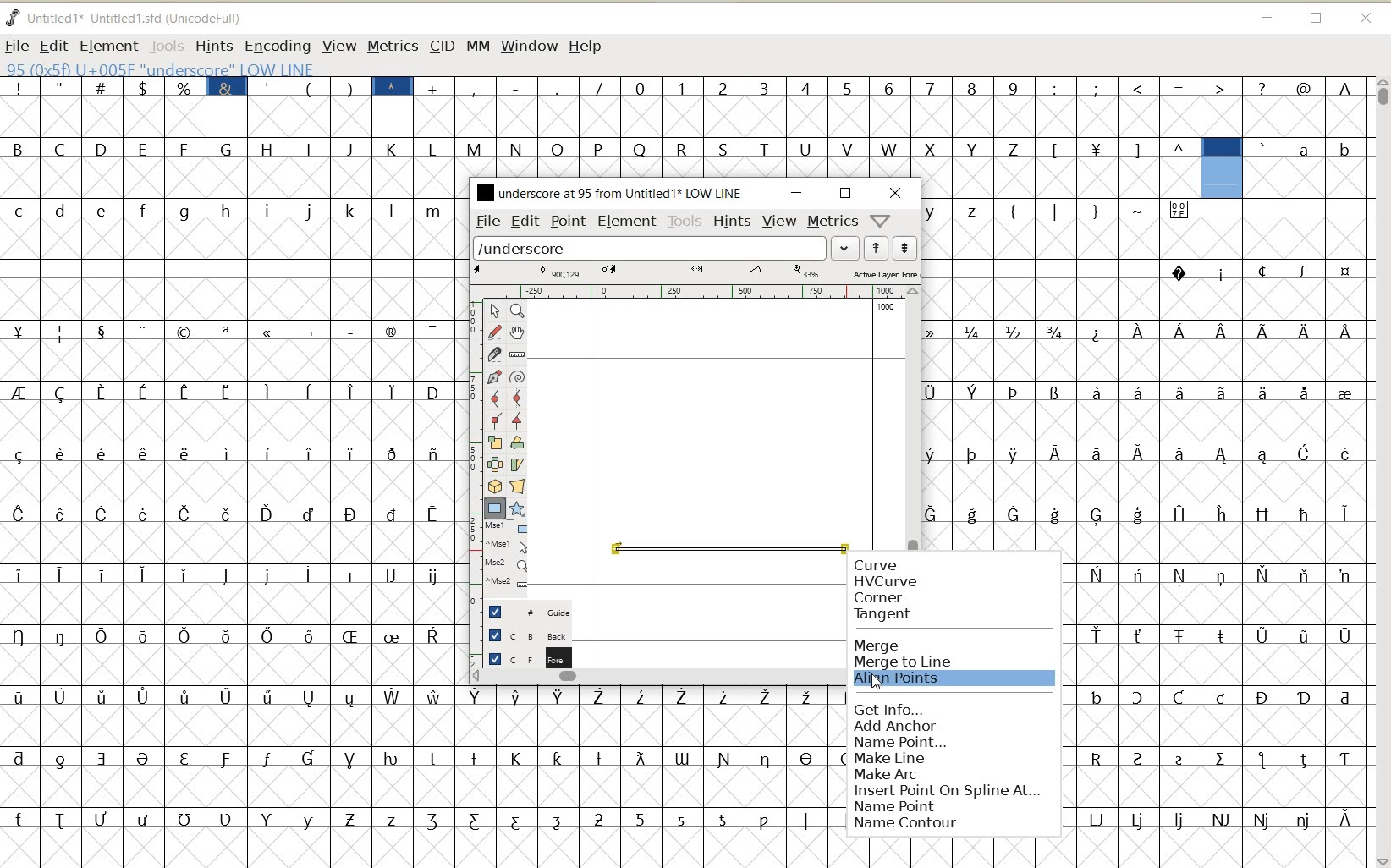 The height and width of the screenshot is (868, 1391). Describe the element at coordinates (650, 247) in the screenshot. I see `load word list` at that location.